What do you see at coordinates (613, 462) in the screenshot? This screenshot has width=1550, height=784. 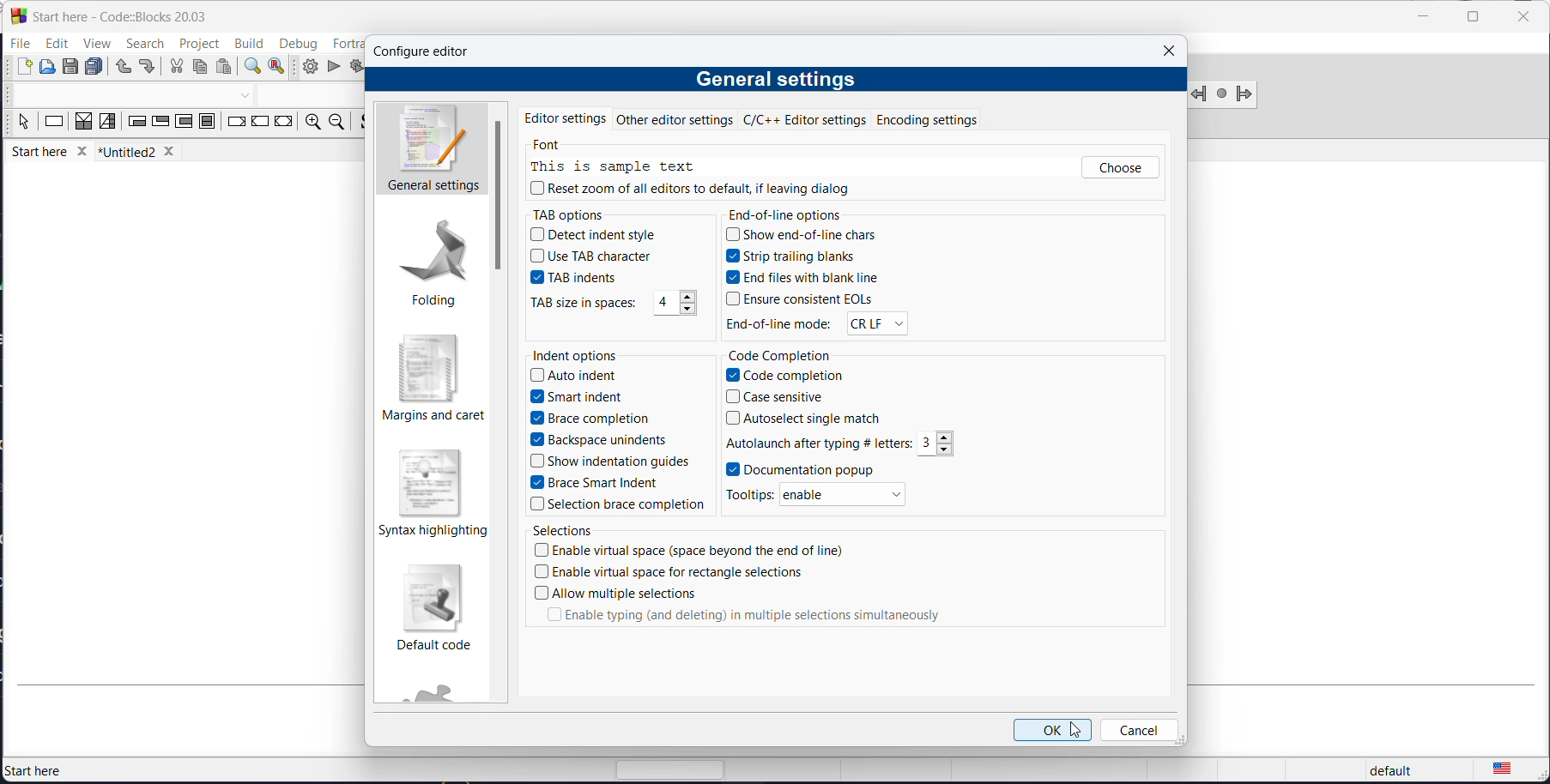 I see `show indentation guides checkbox` at bounding box center [613, 462].